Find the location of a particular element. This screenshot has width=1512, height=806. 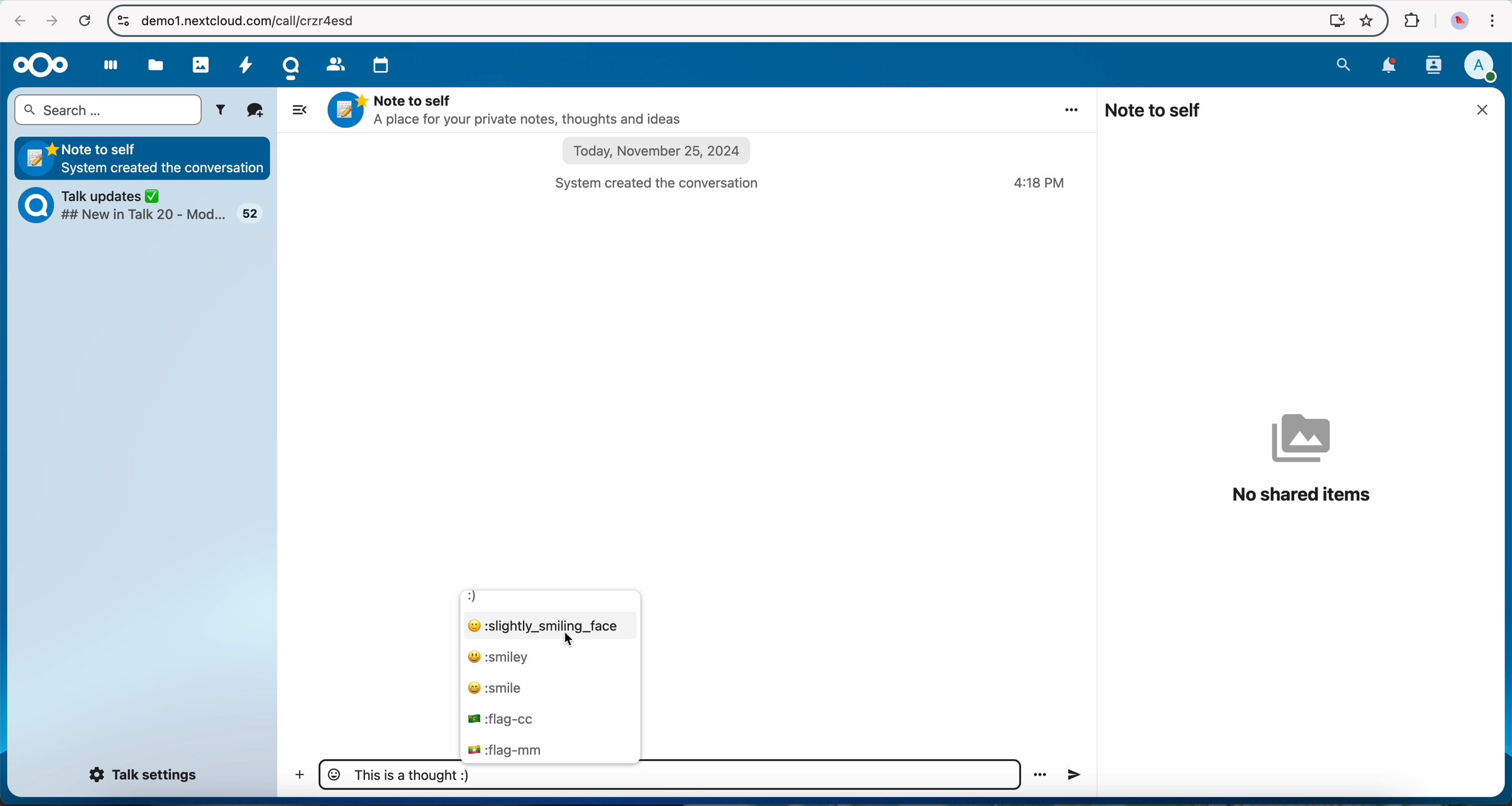

activity is located at coordinates (248, 69).